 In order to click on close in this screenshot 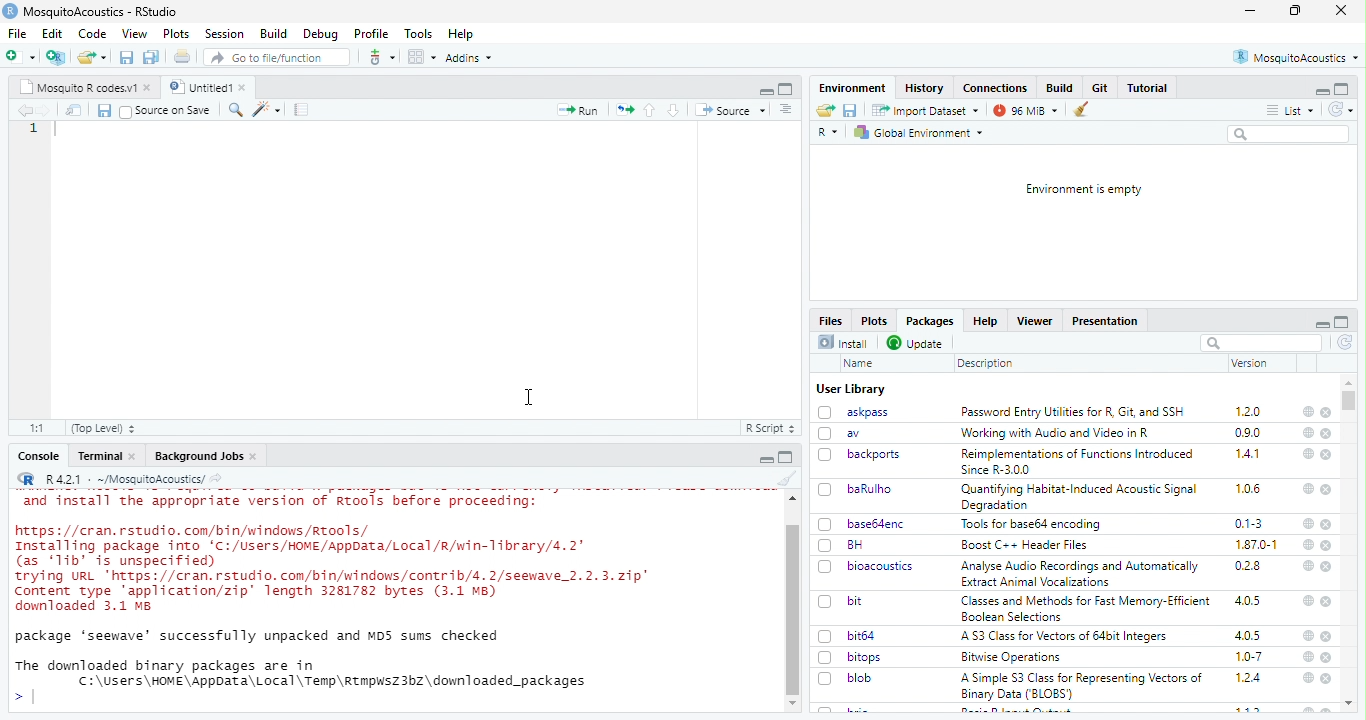, I will do `click(1328, 413)`.